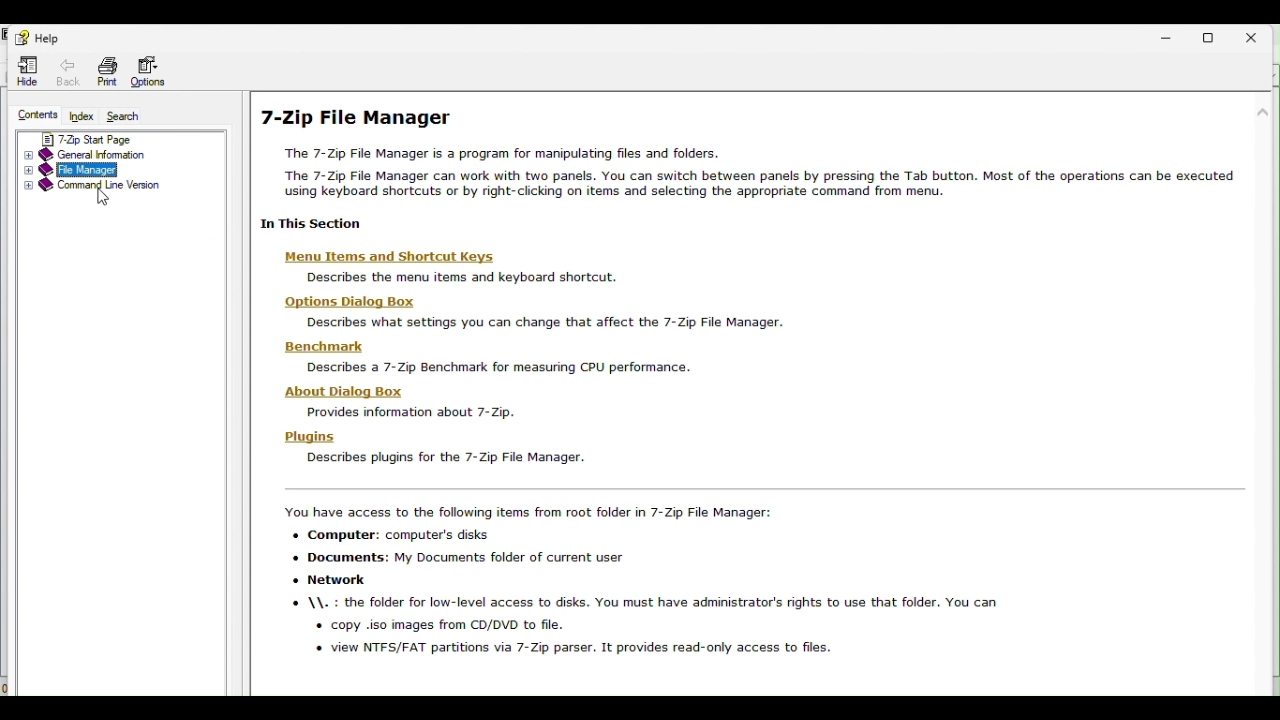 The image size is (1280, 720). What do you see at coordinates (324, 348) in the screenshot?
I see `benchmark` at bounding box center [324, 348].